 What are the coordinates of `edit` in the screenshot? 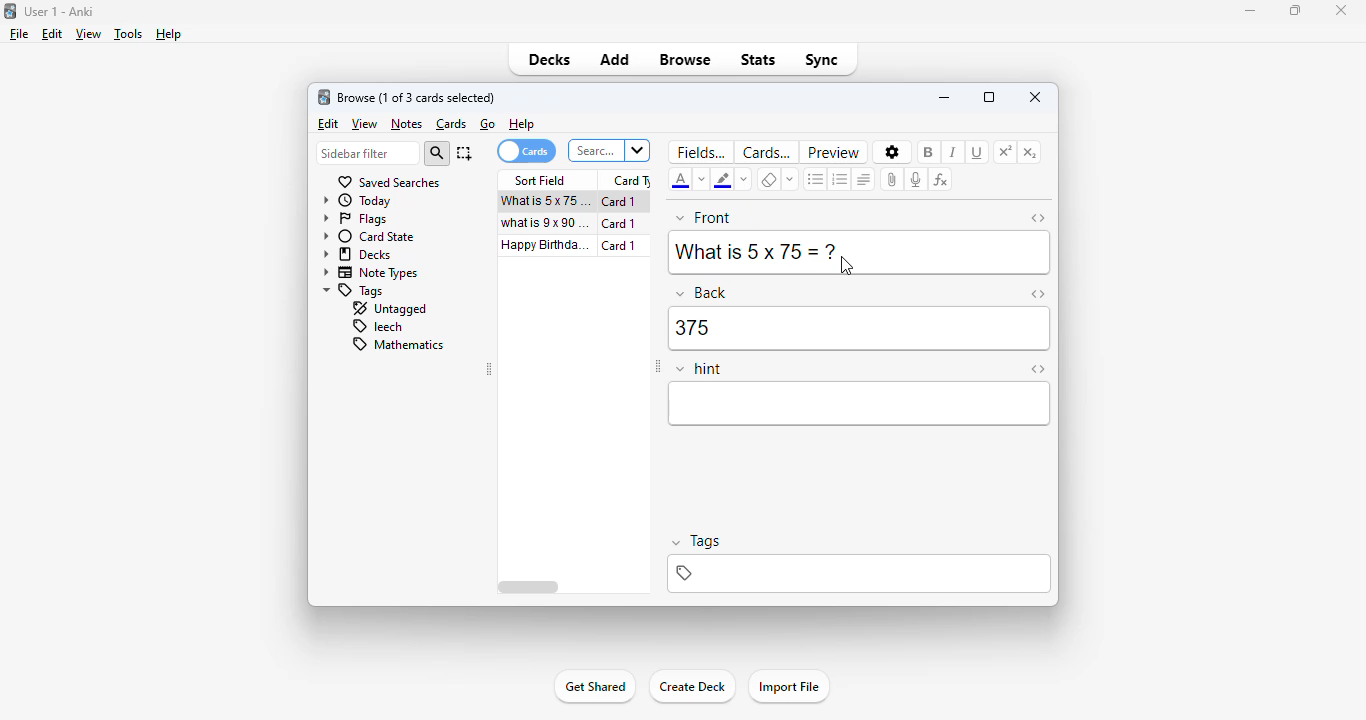 It's located at (328, 123).